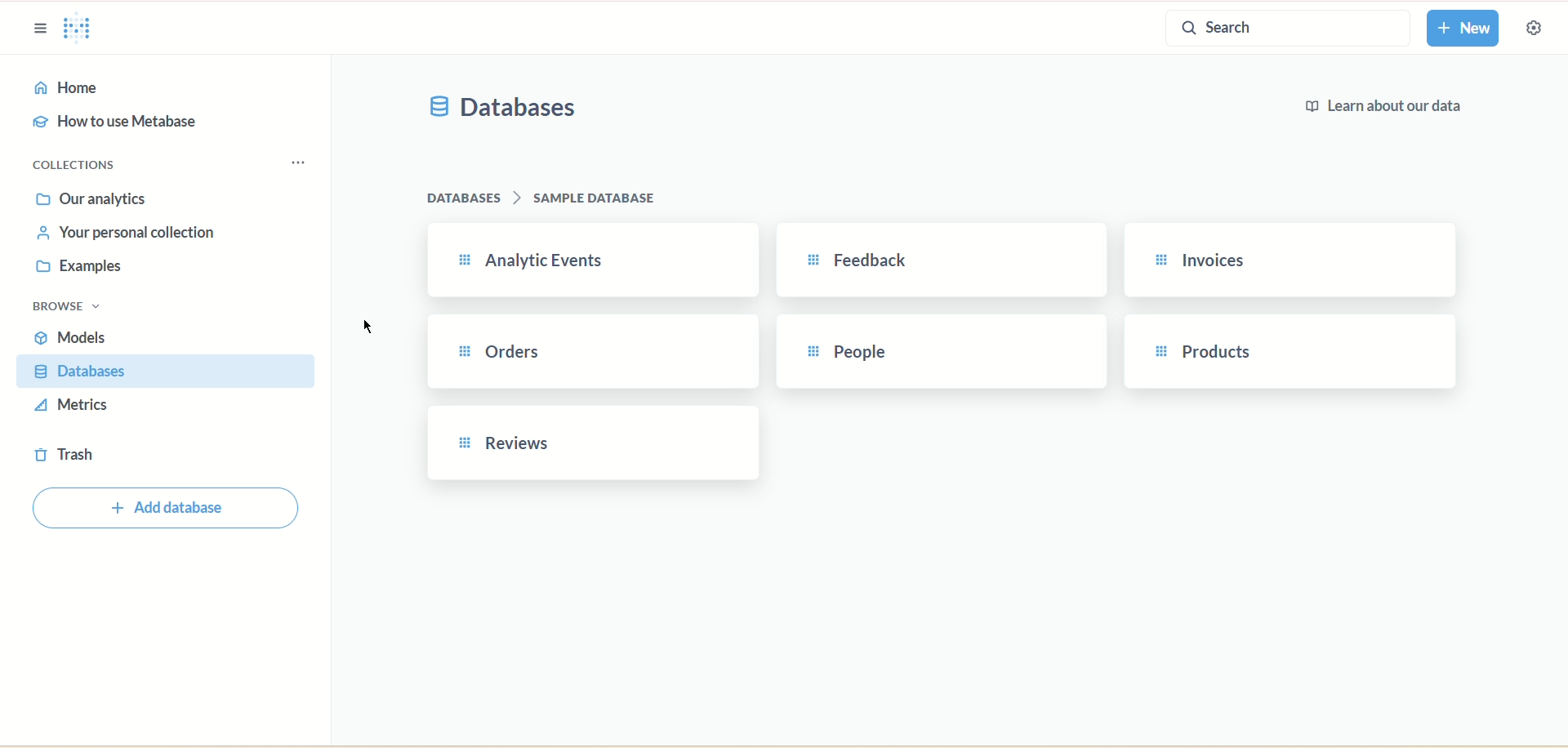 This screenshot has height=748, width=1568. I want to click on people, so click(948, 352).